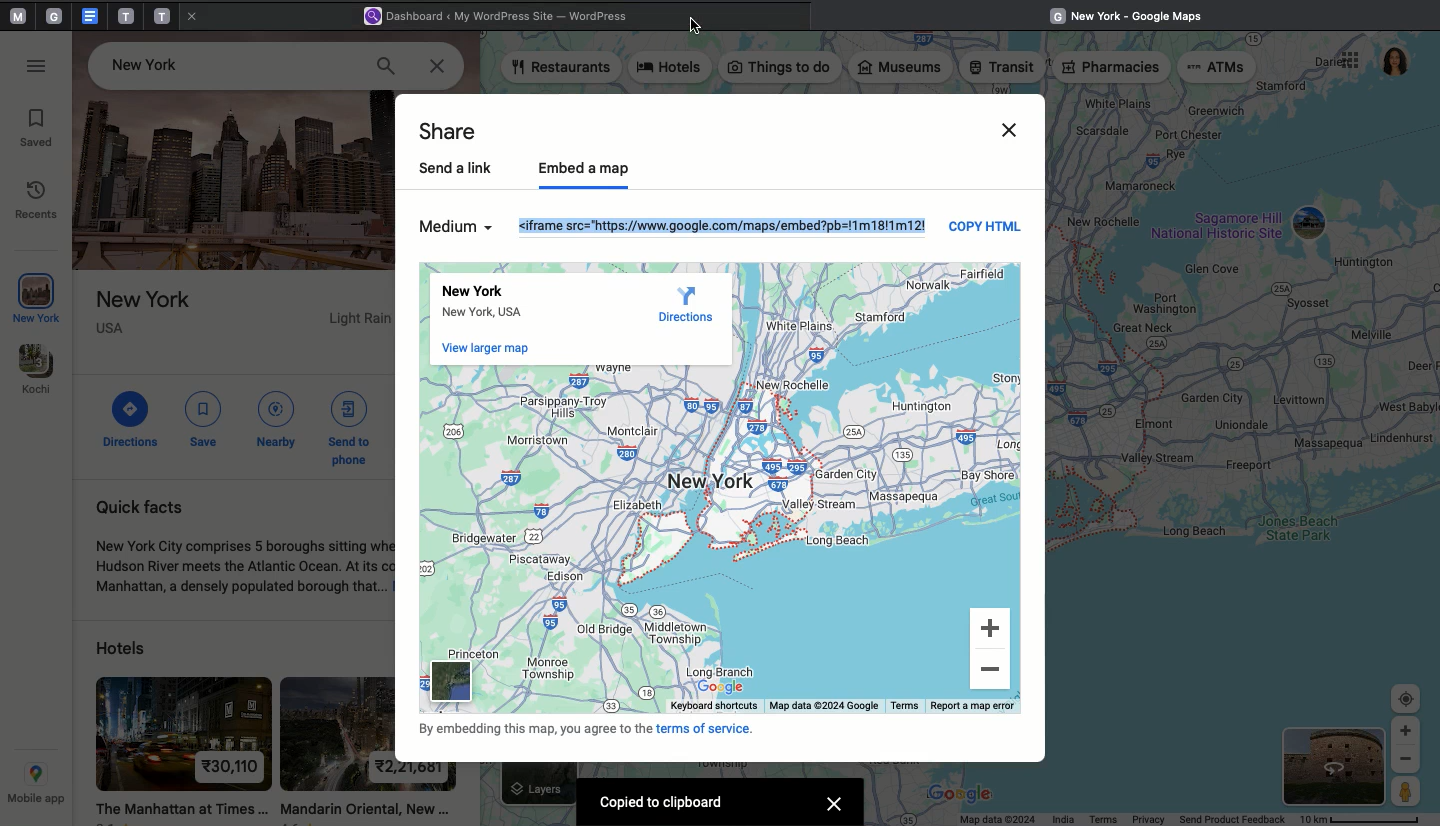 The image size is (1440, 826). What do you see at coordinates (276, 418) in the screenshot?
I see `Nearby` at bounding box center [276, 418].